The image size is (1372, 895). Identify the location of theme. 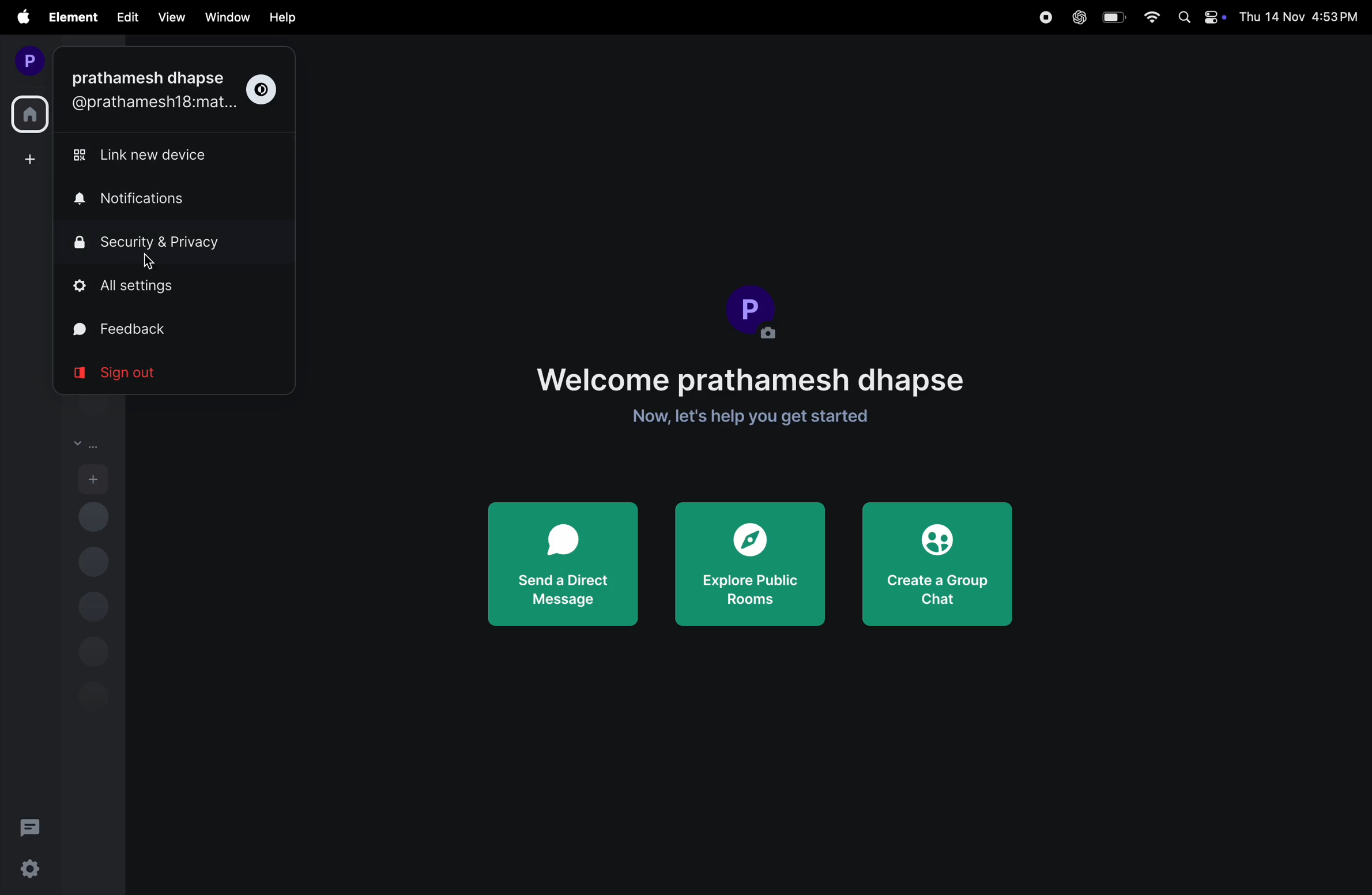
(267, 89).